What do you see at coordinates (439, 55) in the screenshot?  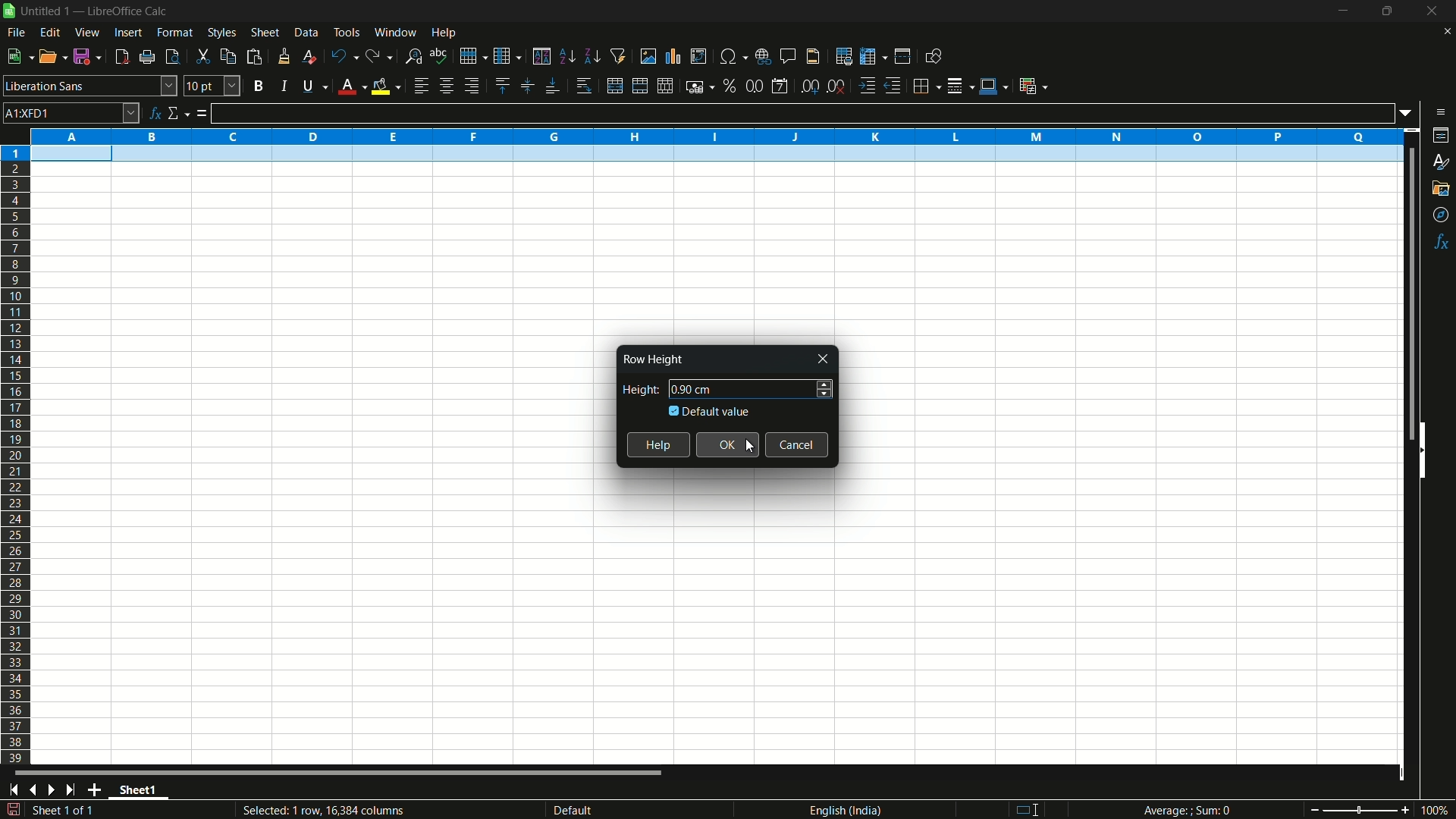 I see `spelling` at bounding box center [439, 55].